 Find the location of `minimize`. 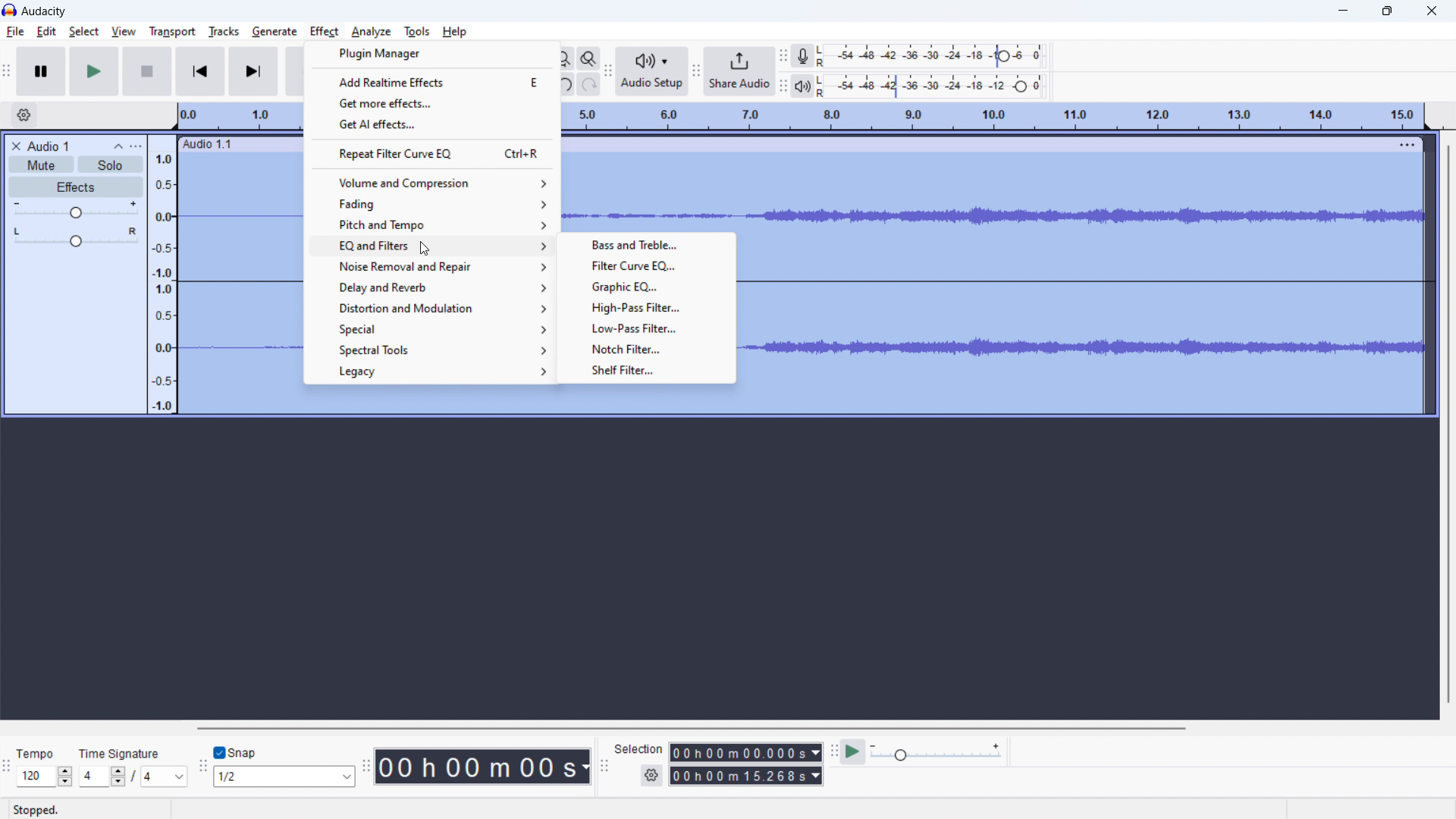

minimize is located at coordinates (1344, 10).